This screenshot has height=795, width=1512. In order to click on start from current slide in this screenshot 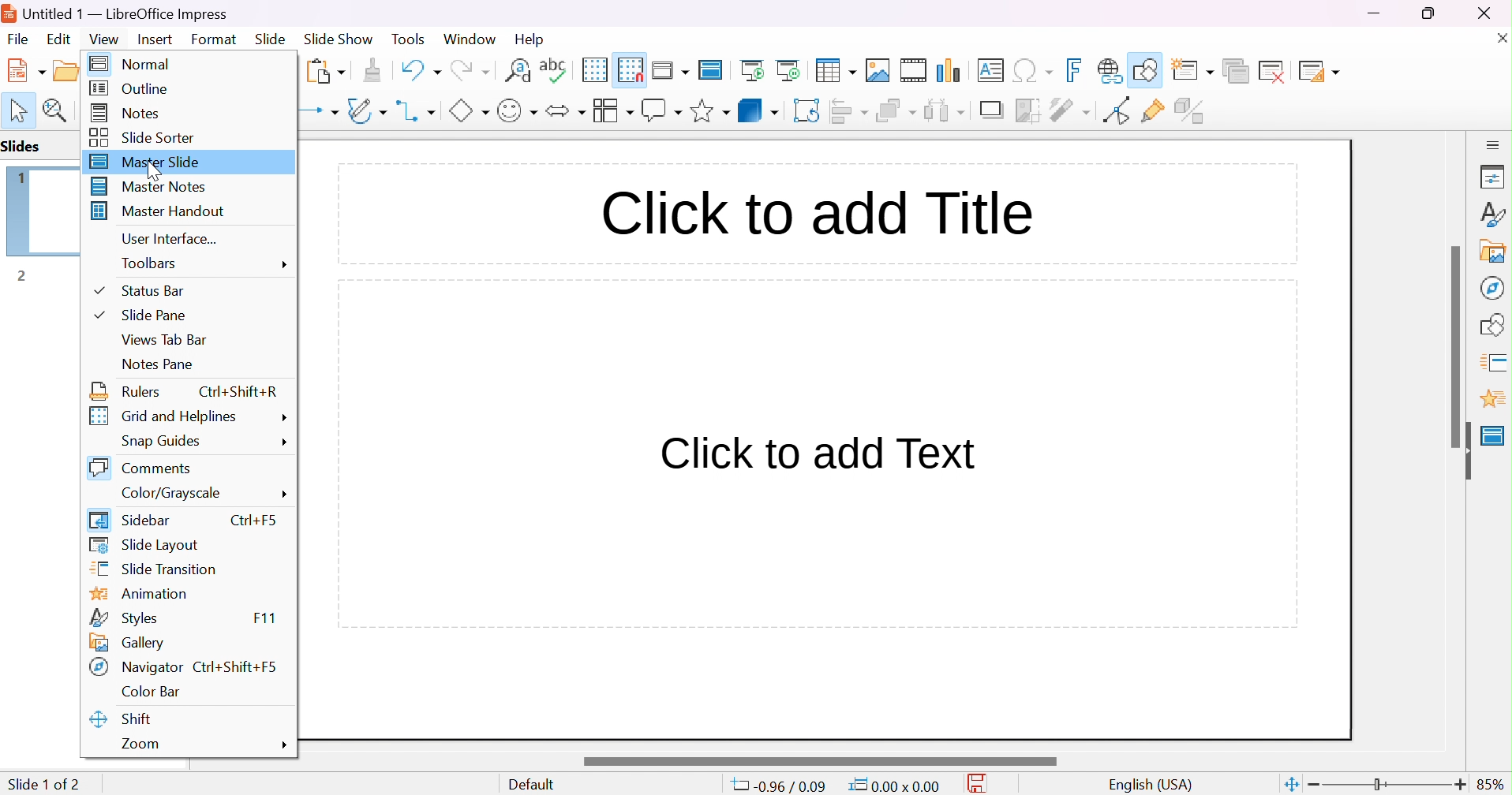, I will do `click(792, 69)`.